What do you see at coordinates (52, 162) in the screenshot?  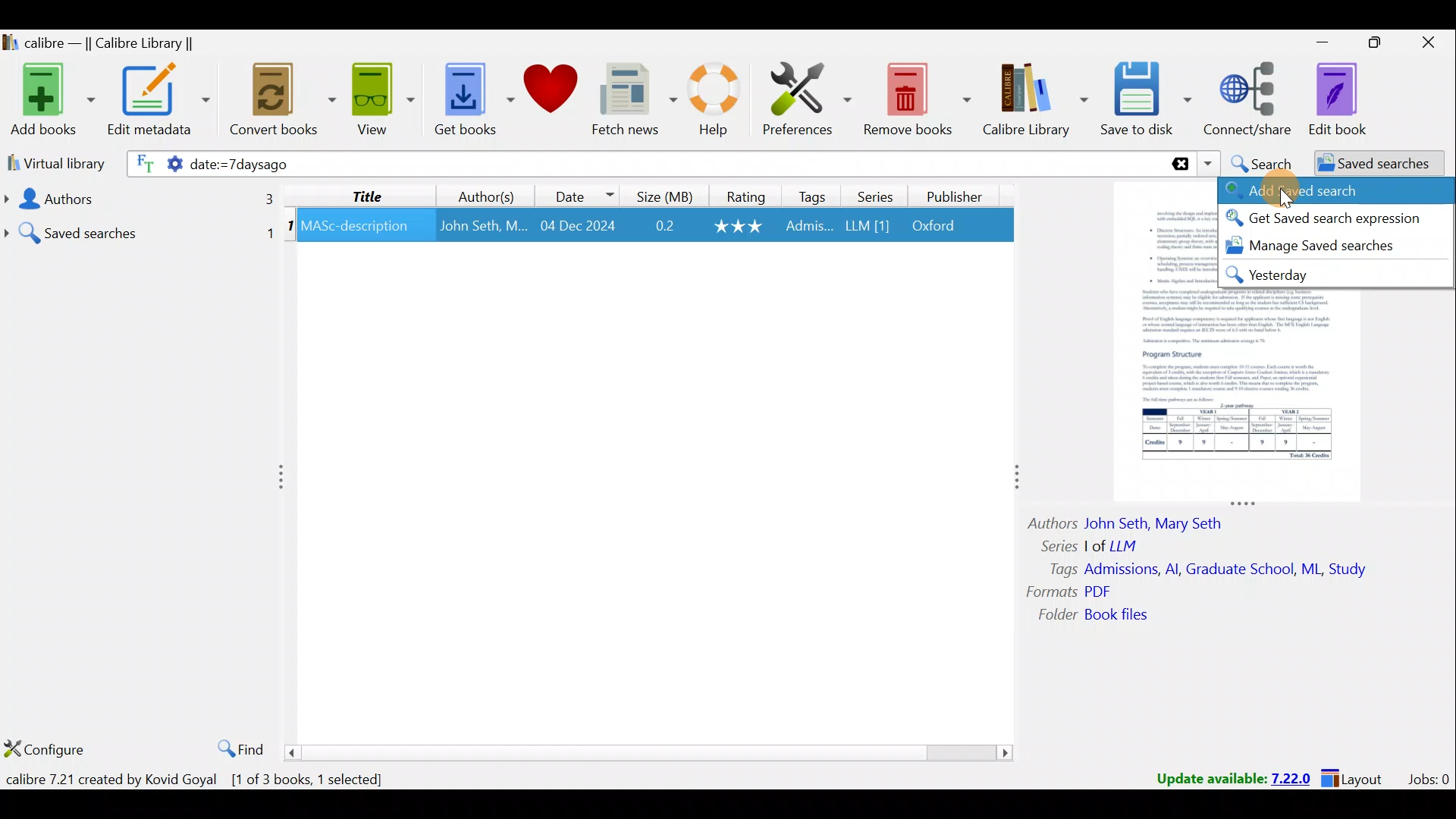 I see `Virtual library` at bounding box center [52, 162].